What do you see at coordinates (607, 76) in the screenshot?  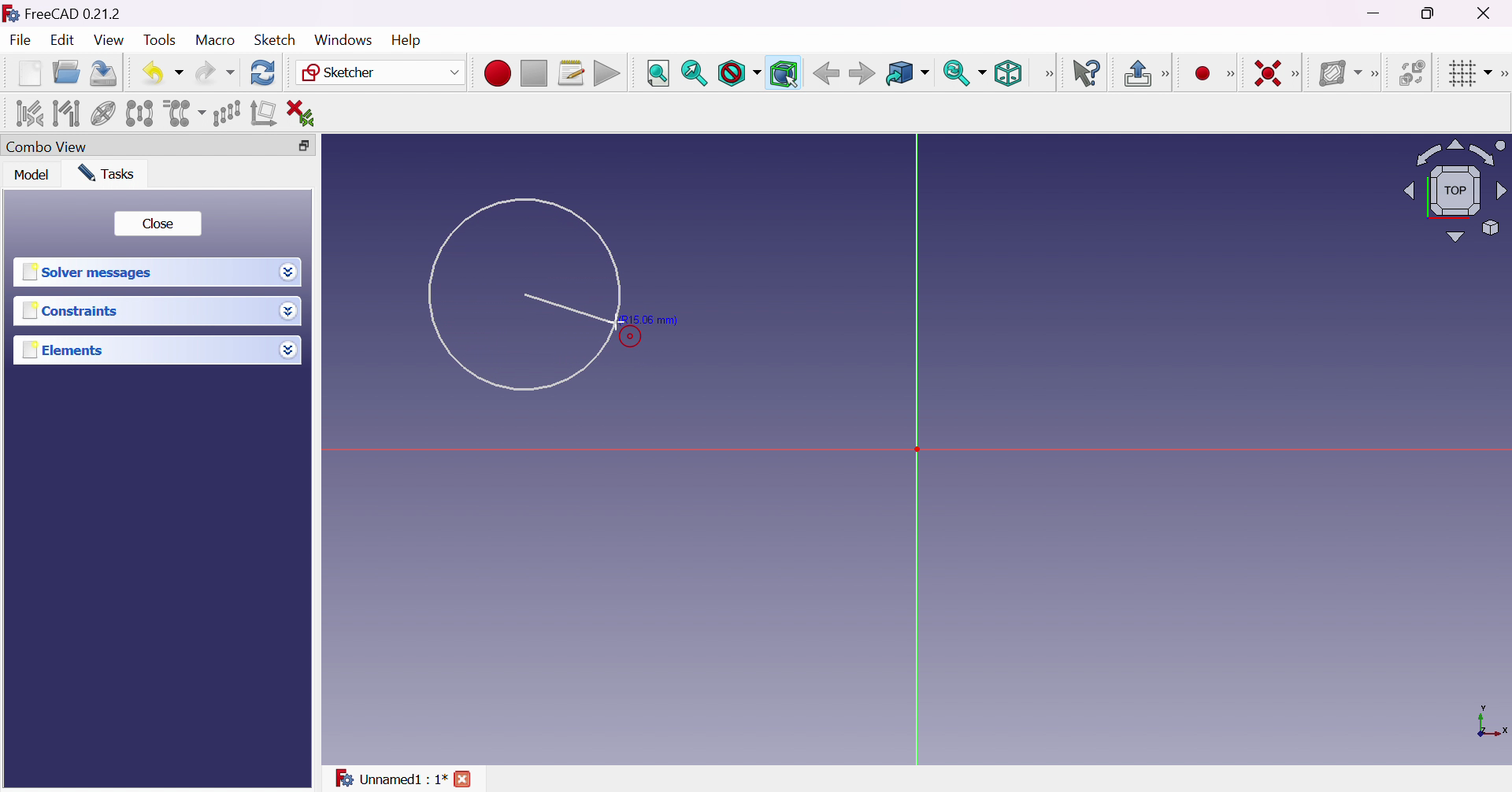 I see `Execute macro` at bounding box center [607, 76].